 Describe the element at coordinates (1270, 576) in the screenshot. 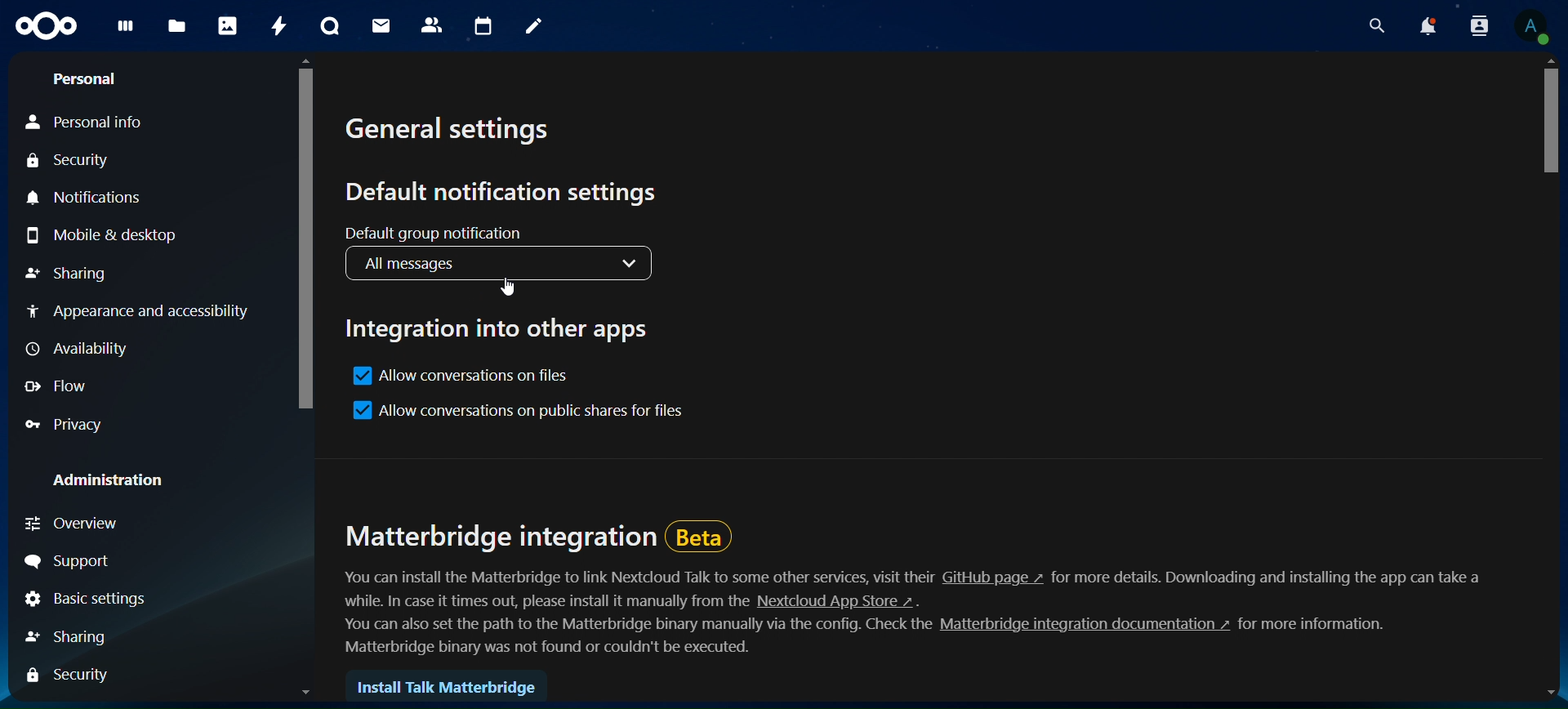

I see `text` at that location.